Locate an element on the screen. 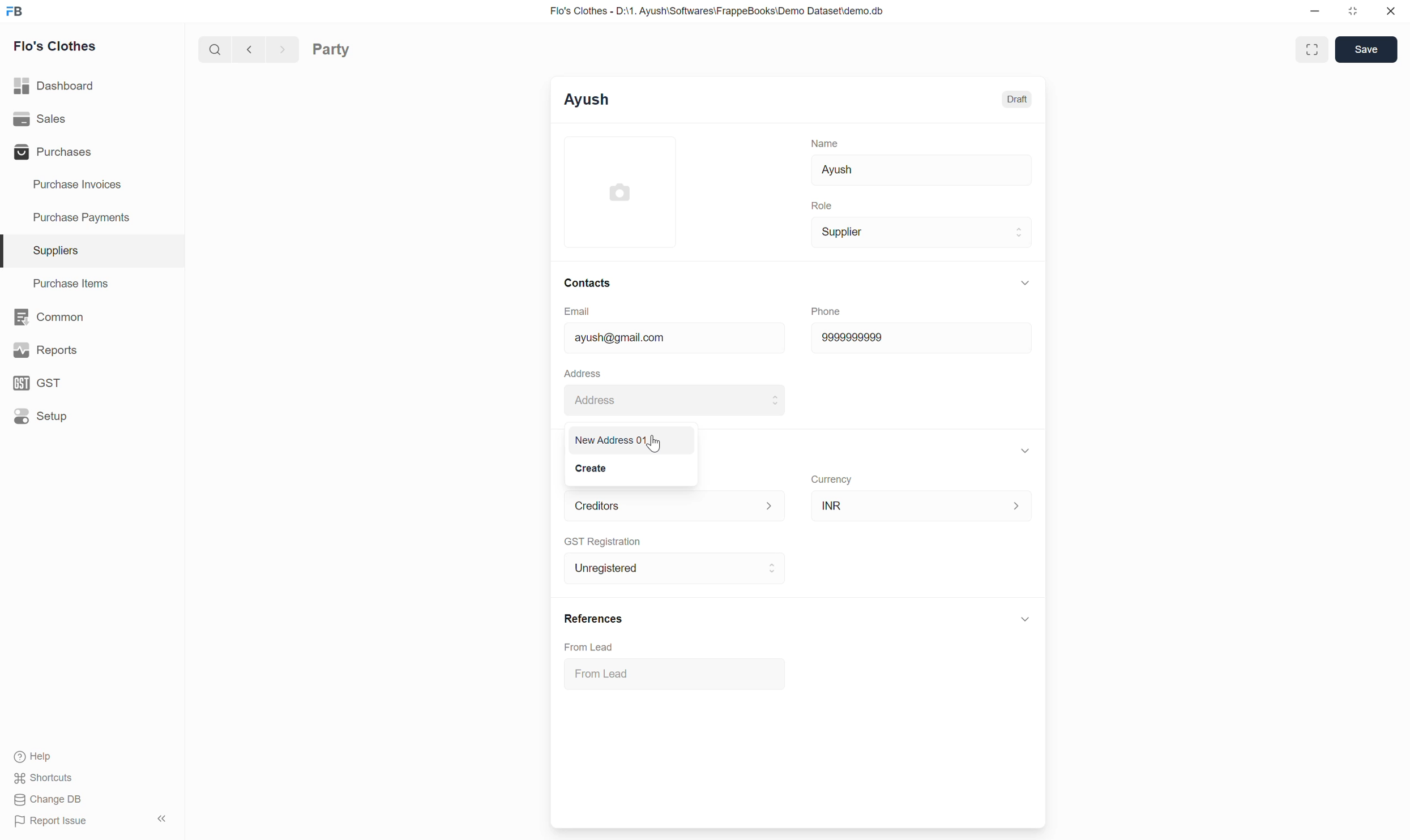 The height and width of the screenshot is (840, 1410). Flo's Clothes is located at coordinates (55, 45).